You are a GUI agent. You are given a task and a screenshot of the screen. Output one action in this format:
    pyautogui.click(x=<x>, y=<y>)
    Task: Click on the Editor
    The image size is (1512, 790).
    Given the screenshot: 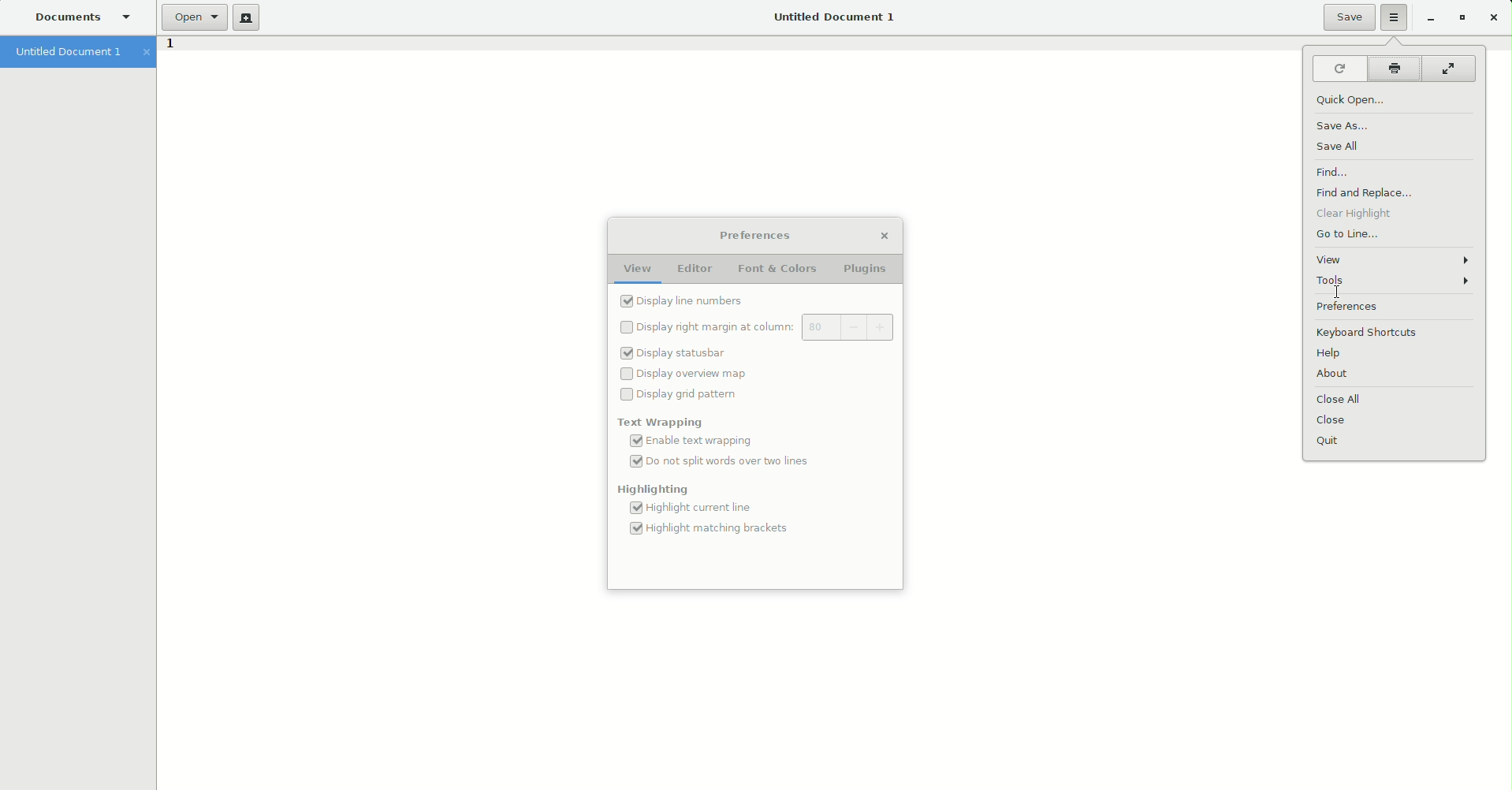 What is the action you would take?
    pyautogui.click(x=694, y=269)
    